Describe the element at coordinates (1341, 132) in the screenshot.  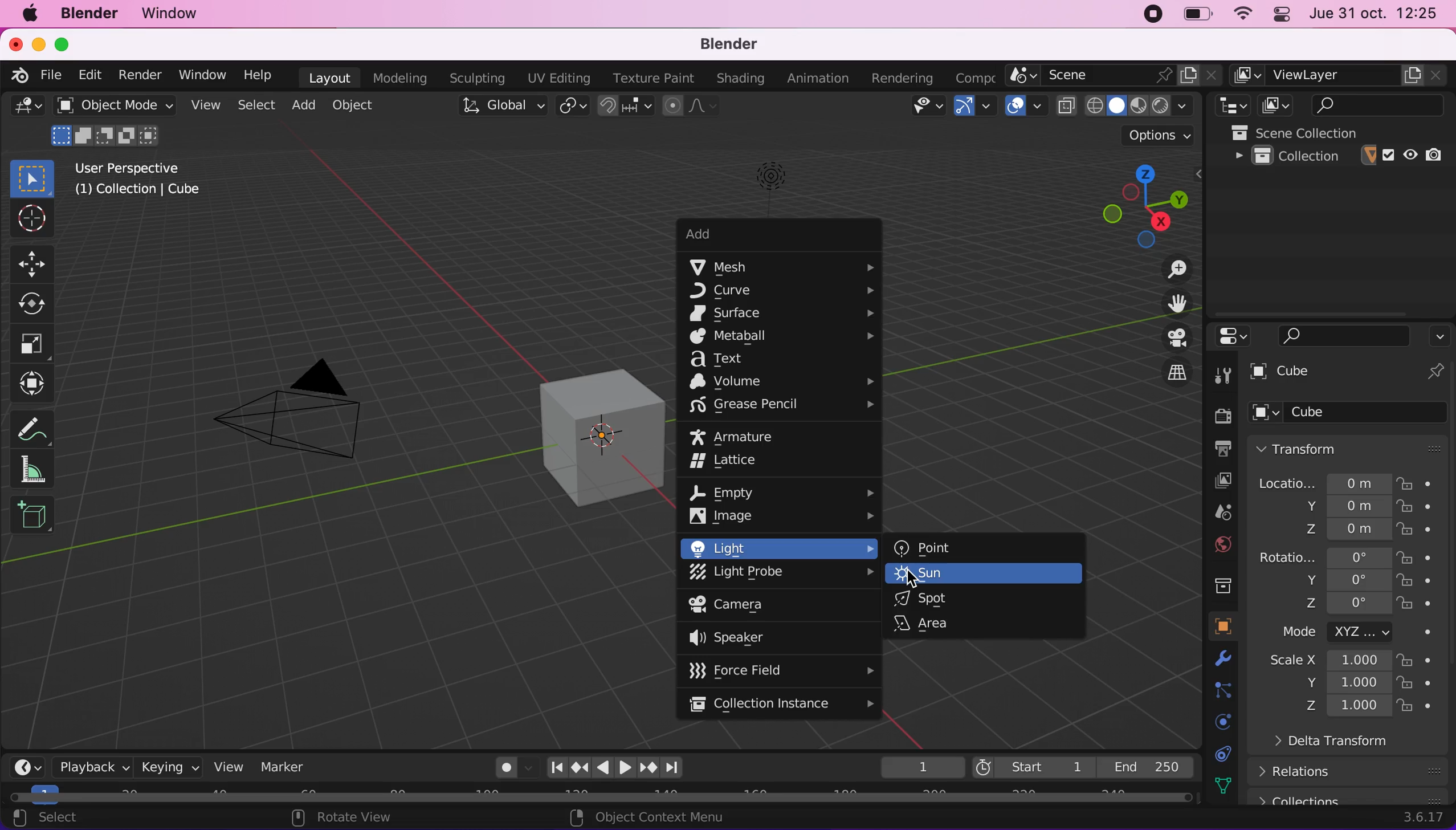
I see `scene collection` at that location.